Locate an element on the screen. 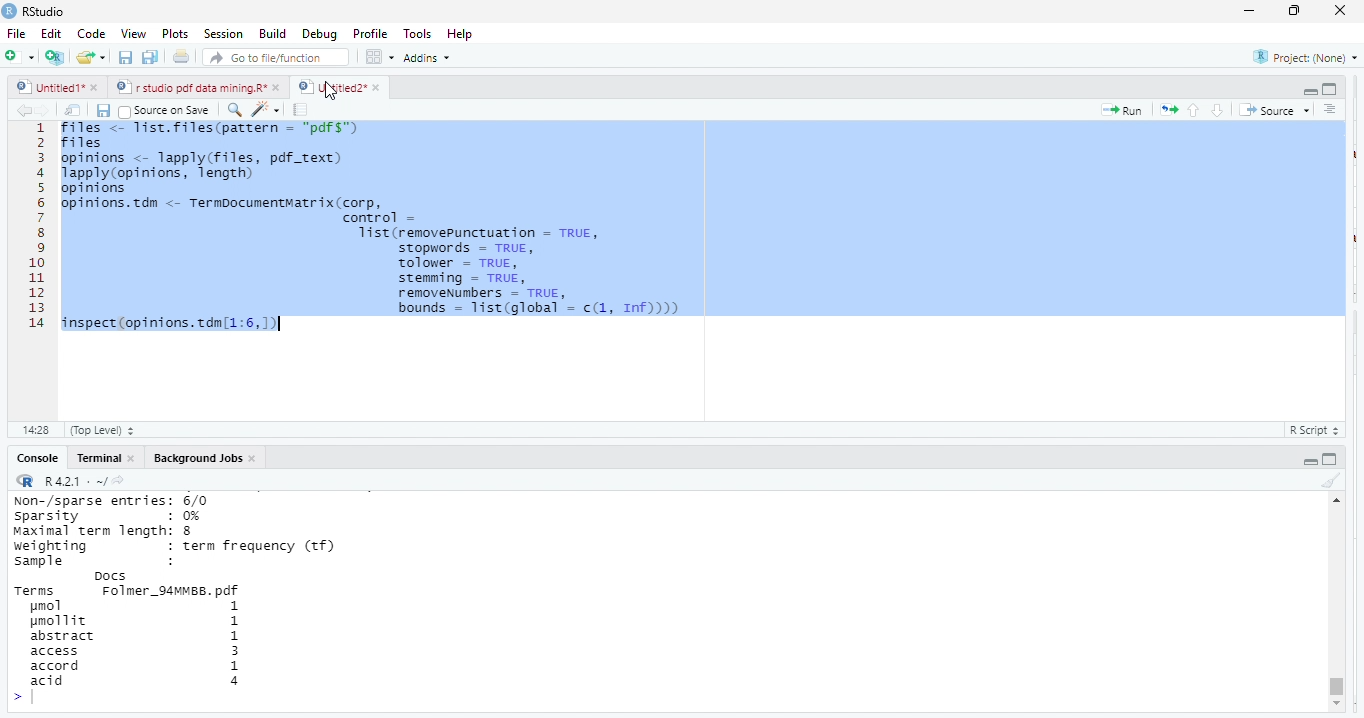 This screenshot has width=1364, height=718. rs studio is located at coordinates (45, 11).